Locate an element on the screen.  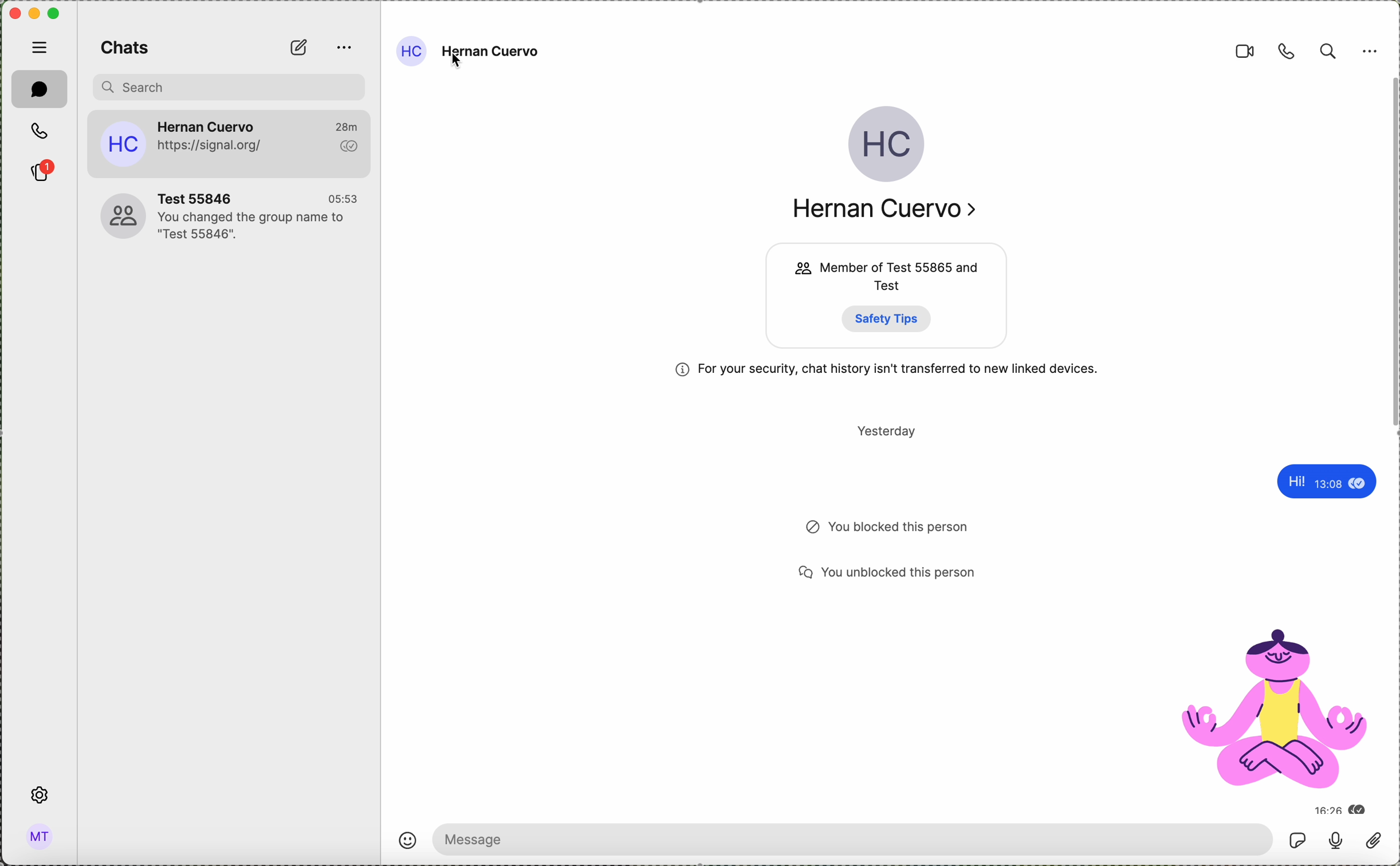
more information is located at coordinates (682, 370).